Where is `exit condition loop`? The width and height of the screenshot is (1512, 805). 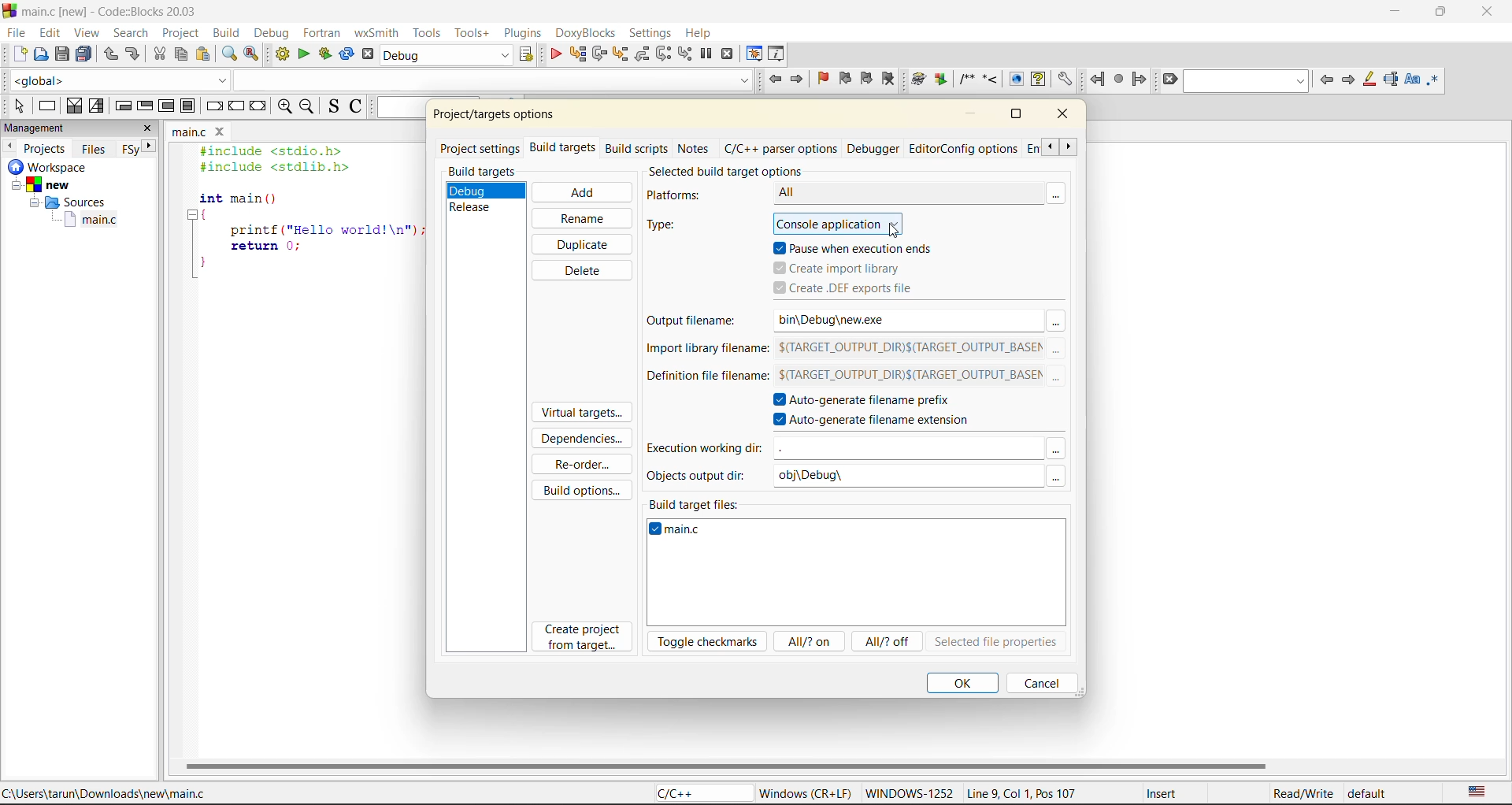 exit condition loop is located at coordinates (146, 106).